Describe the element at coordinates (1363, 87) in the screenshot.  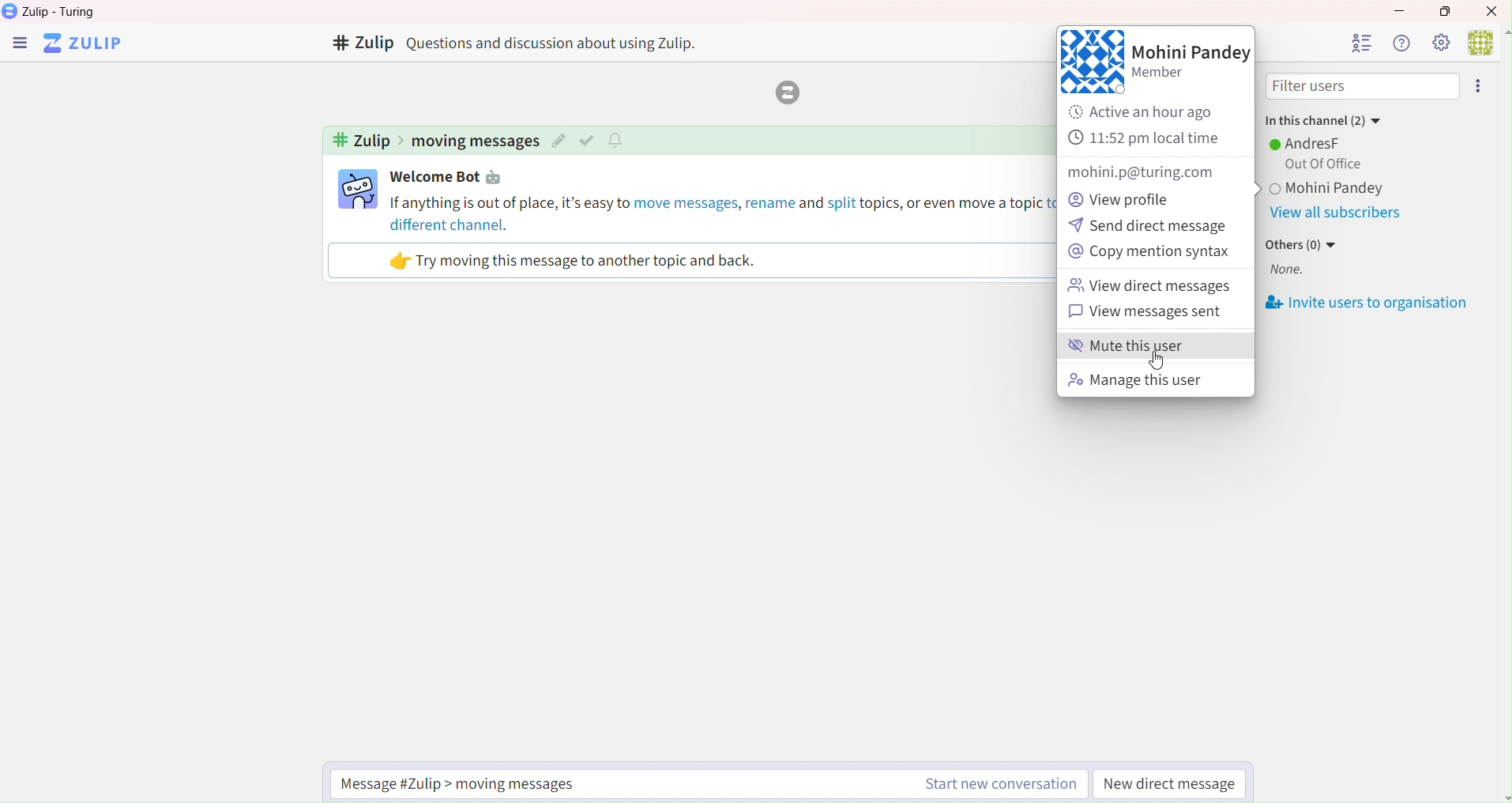
I see `Filter Users` at that location.